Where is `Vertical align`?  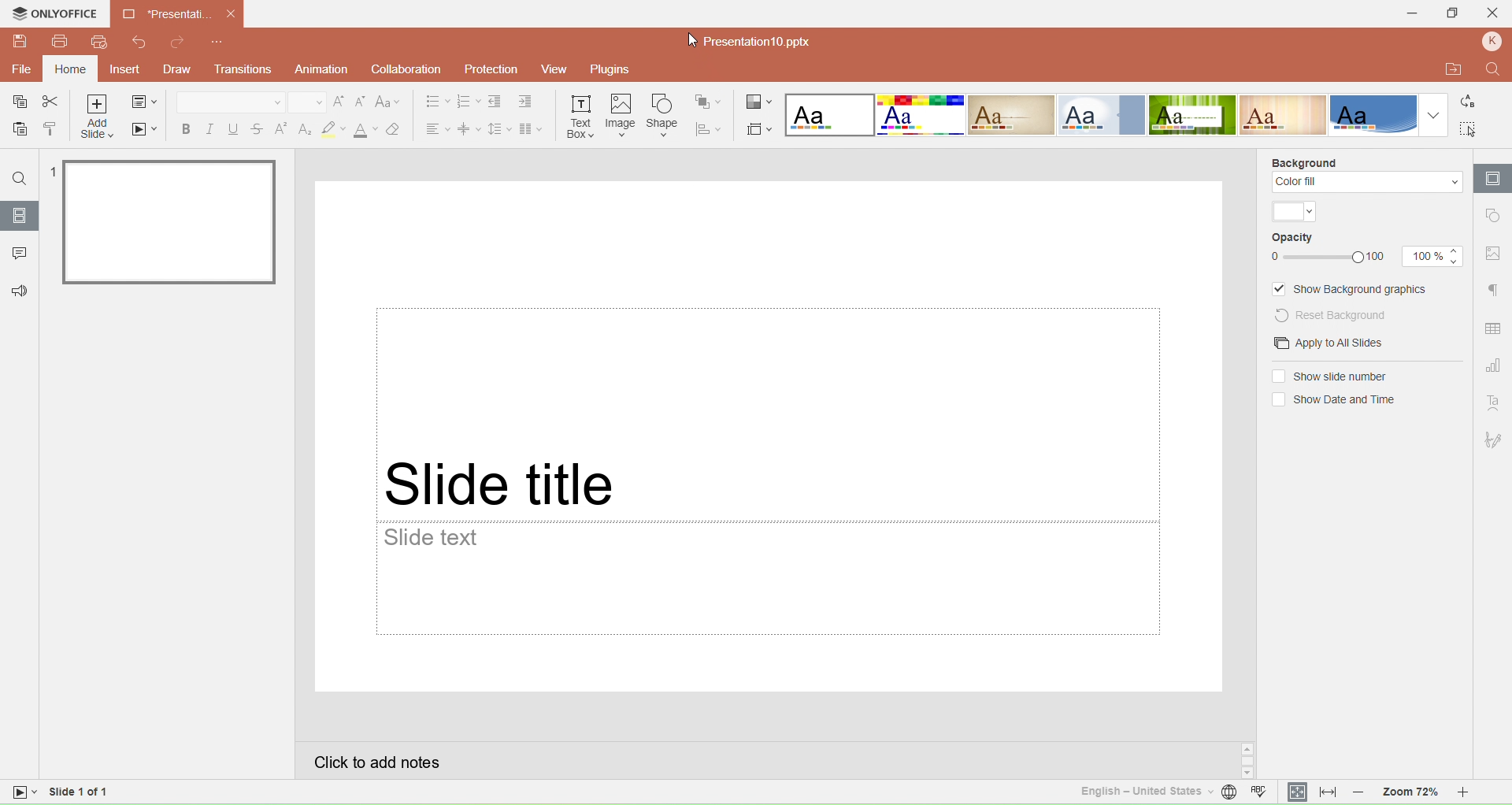 Vertical align is located at coordinates (469, 128).